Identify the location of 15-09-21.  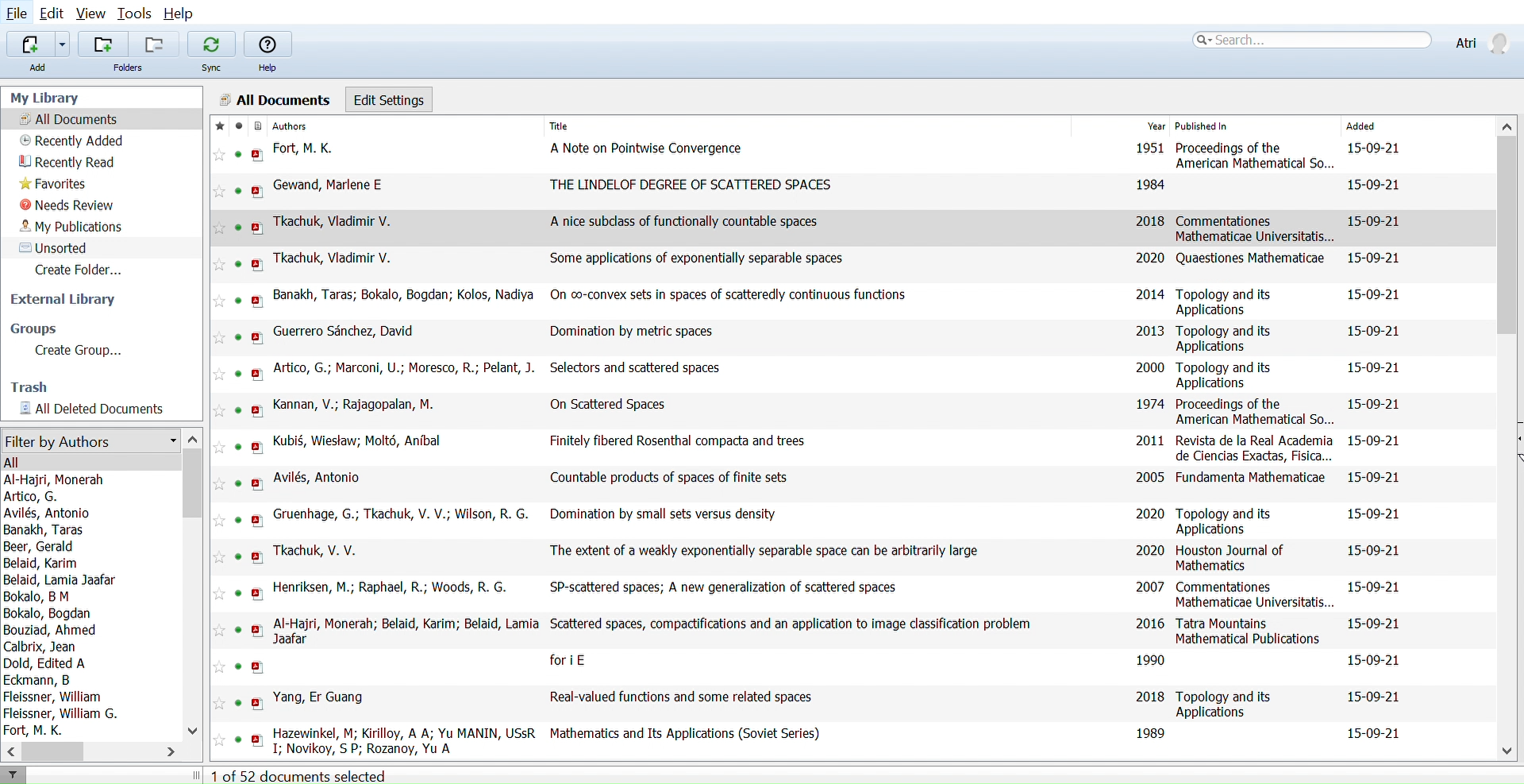
(1373, 697).